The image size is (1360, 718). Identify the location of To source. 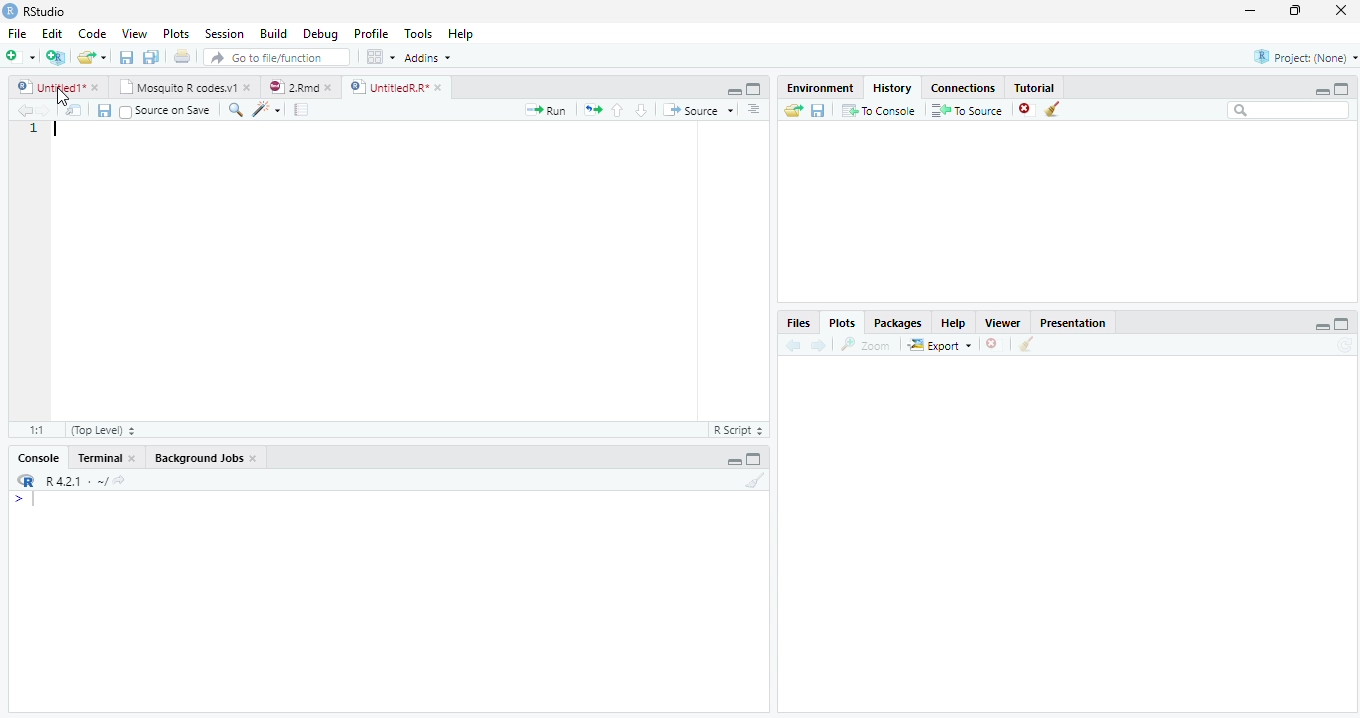
(969, 110).